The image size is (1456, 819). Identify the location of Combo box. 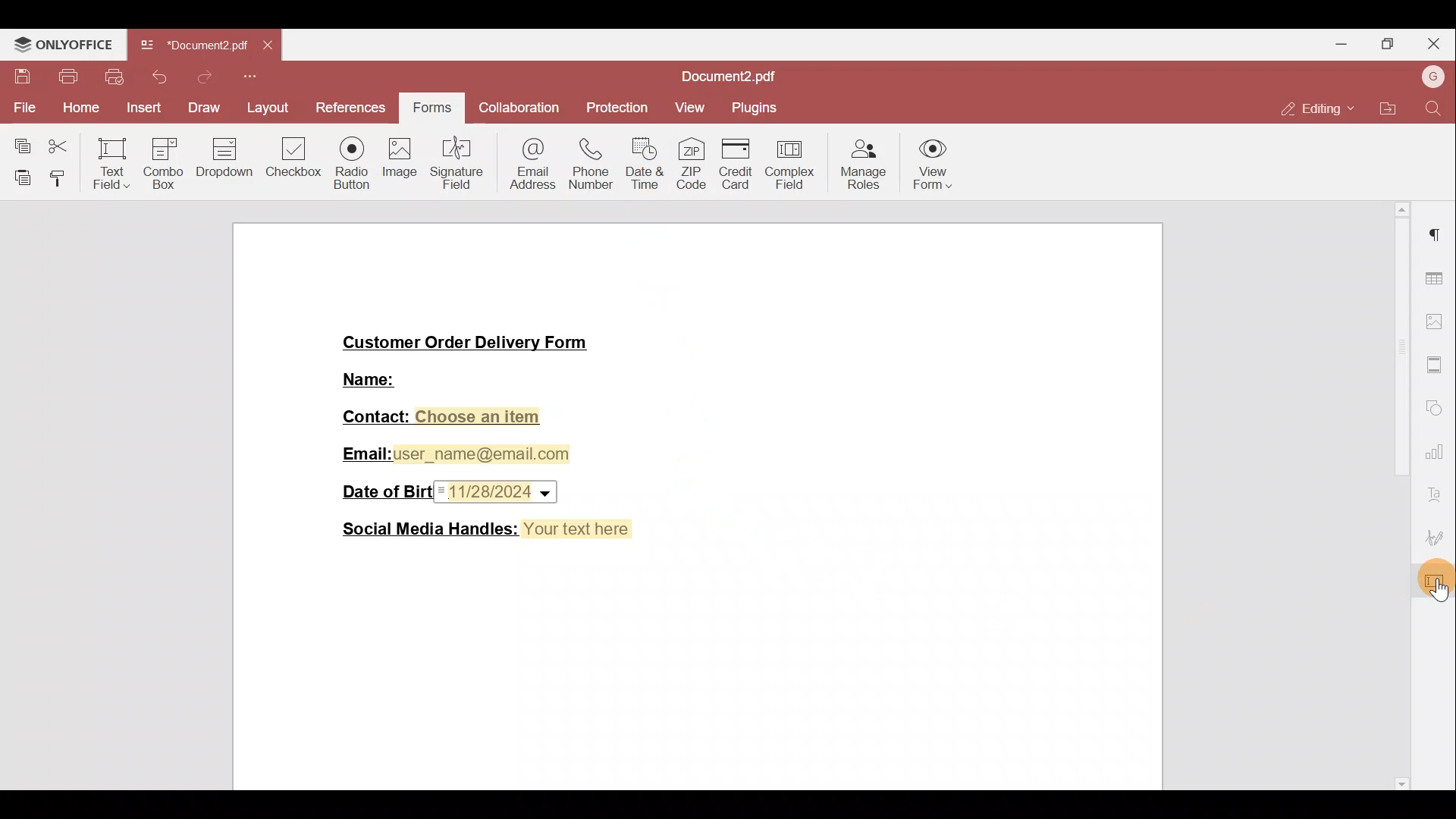
(162, 161).